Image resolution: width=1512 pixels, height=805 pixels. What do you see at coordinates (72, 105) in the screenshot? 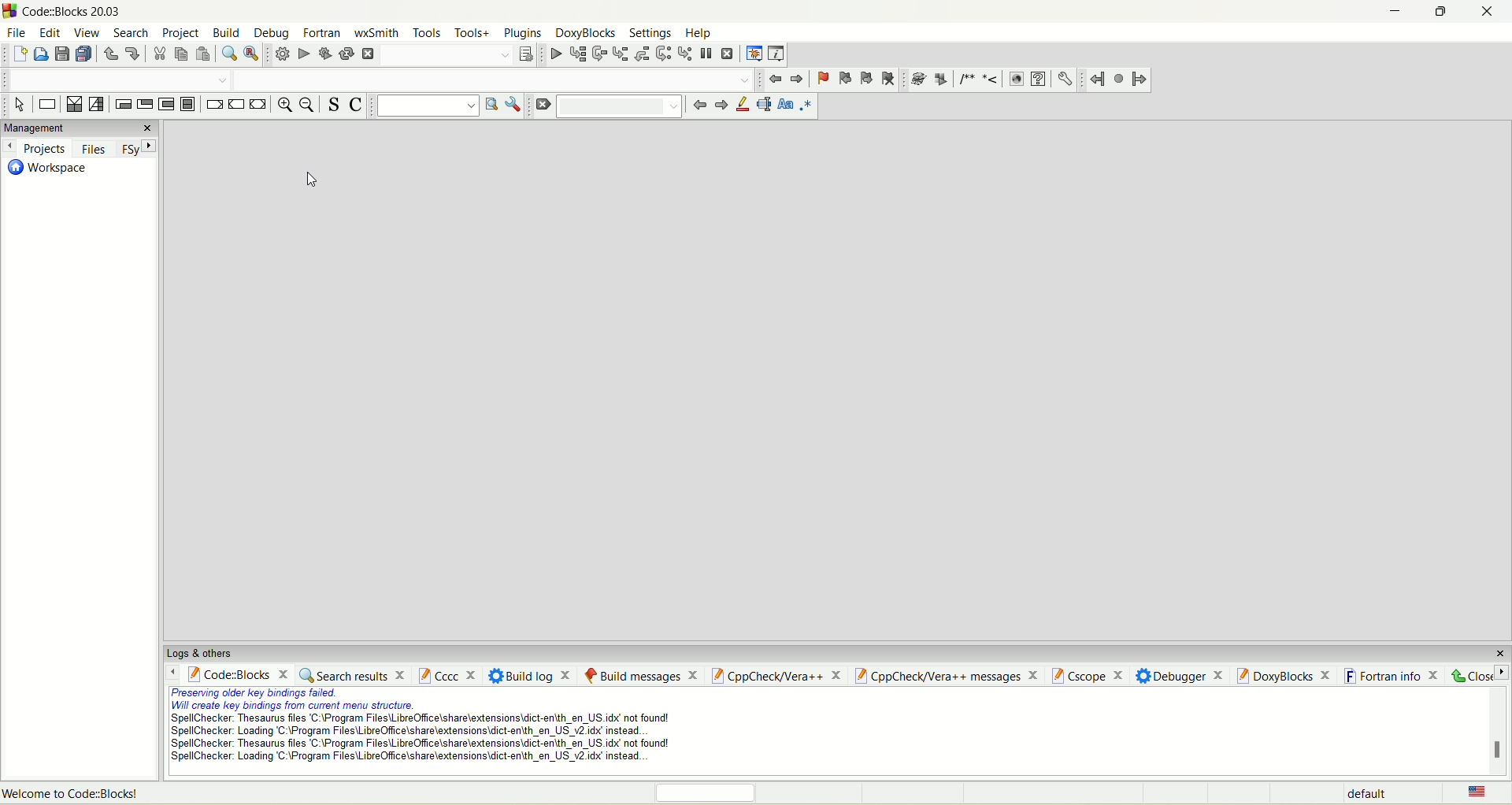
I see `decision` at bounding box center [72, 105].